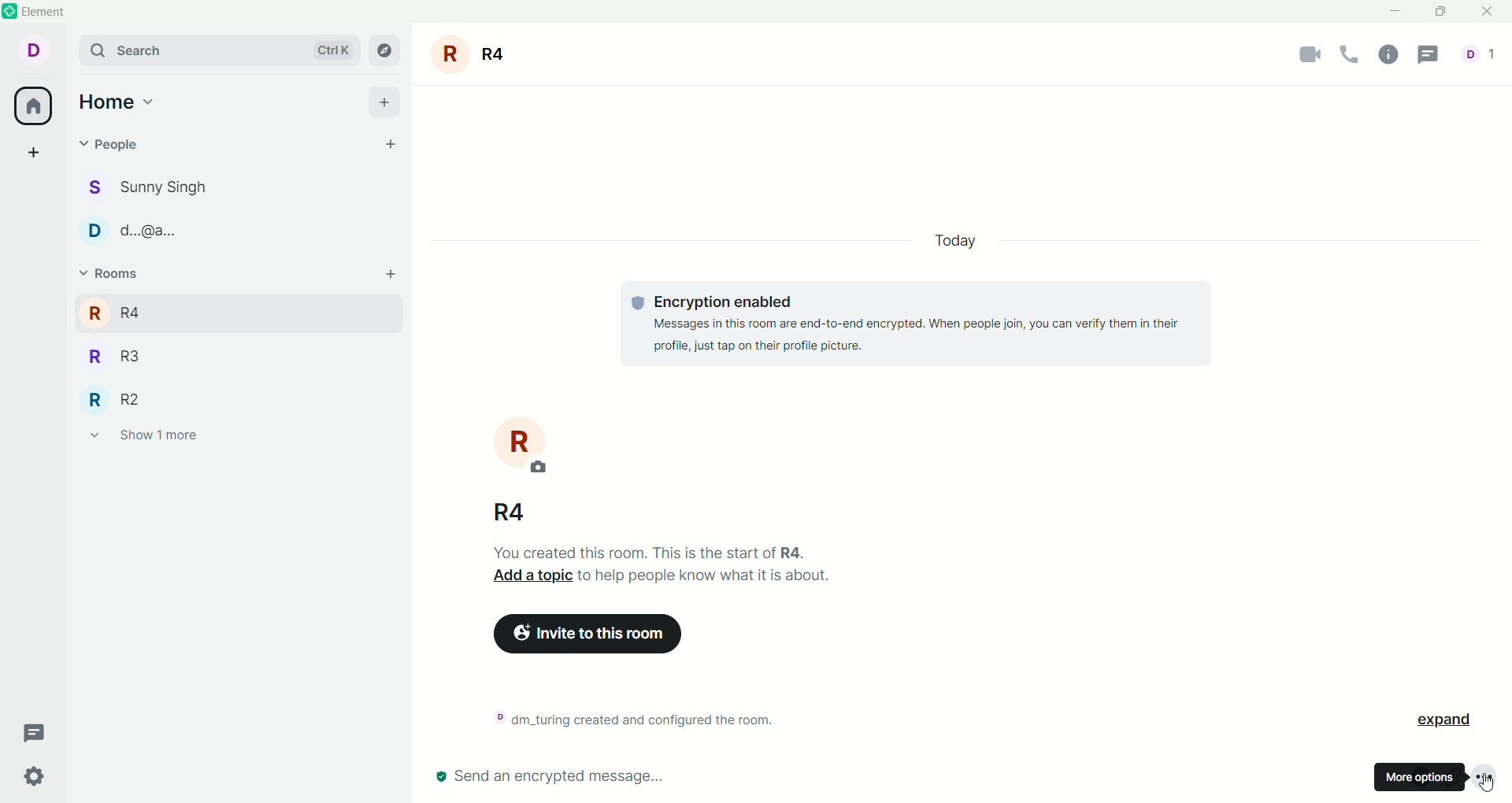 This screenshot has width=1512, height=803. Describe the element at coordinates (161, 235) in the screenshot. I see `people` at that location.